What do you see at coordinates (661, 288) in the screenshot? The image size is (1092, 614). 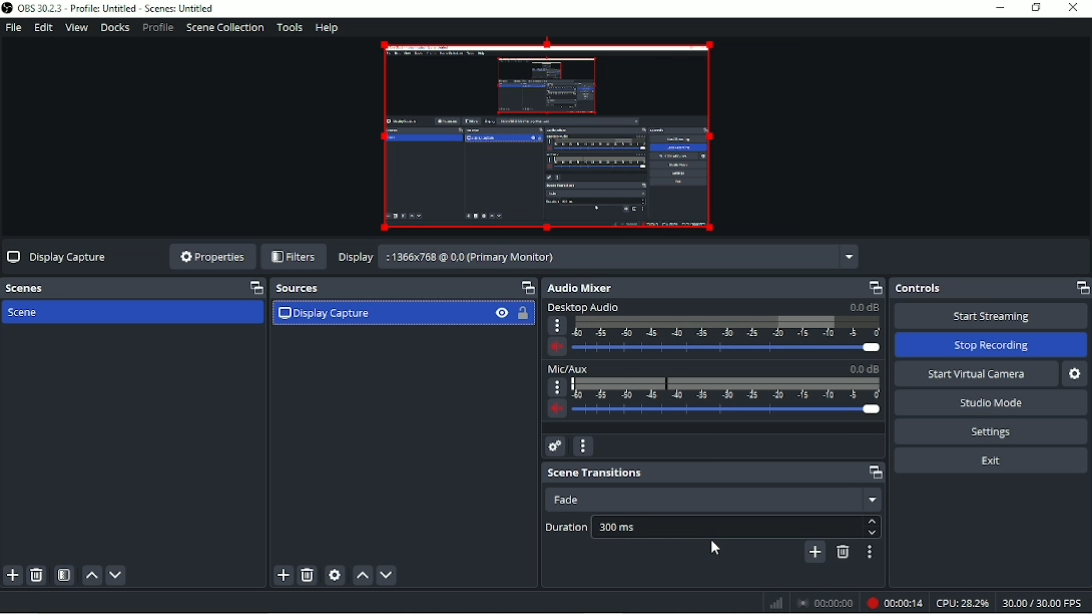 I see `Sources` at bounding box center [661, 288].